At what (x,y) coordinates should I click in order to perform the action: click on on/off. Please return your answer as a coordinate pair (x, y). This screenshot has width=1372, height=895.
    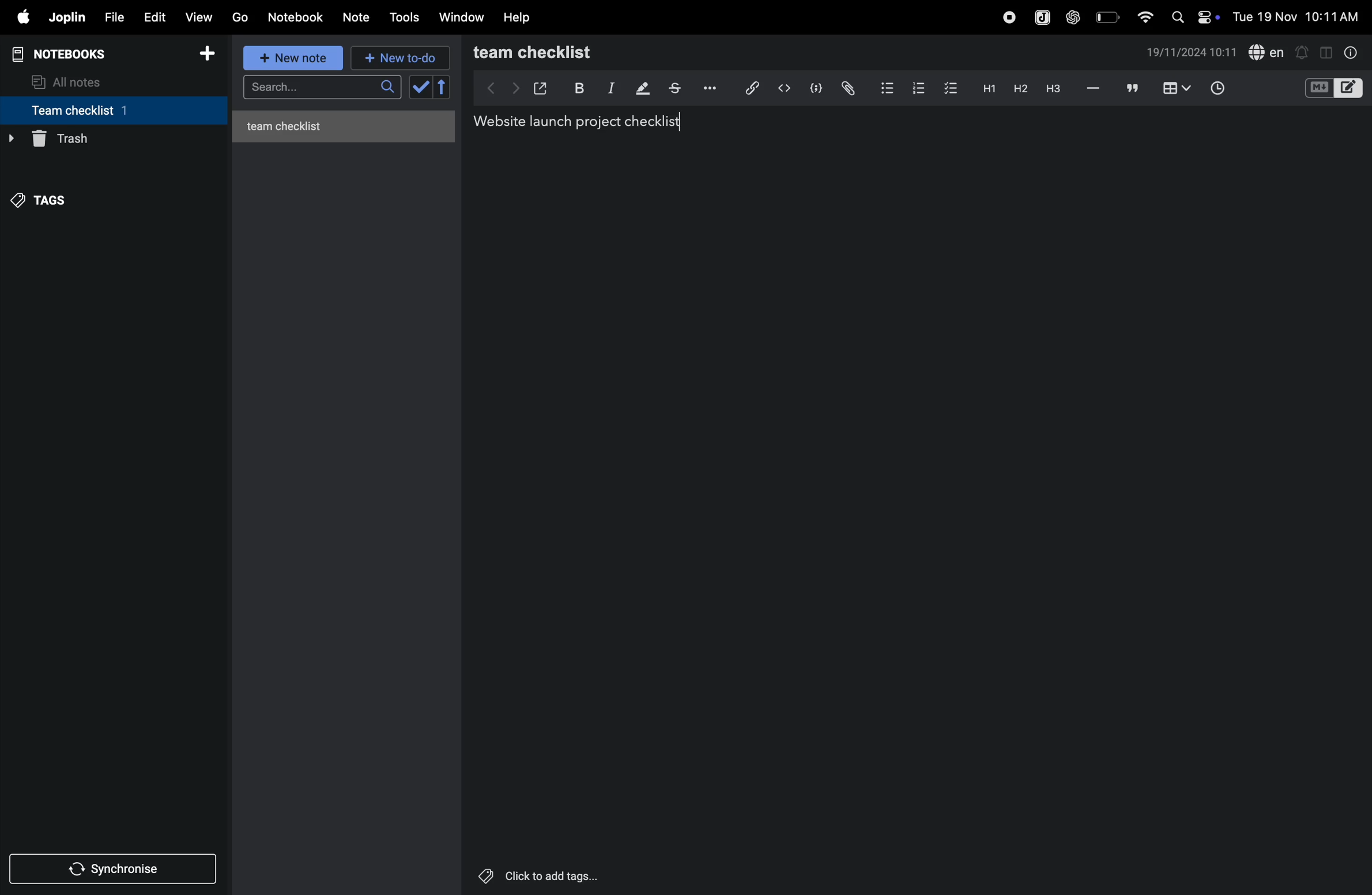
    Looking at the image, I should click on (1211, 17).